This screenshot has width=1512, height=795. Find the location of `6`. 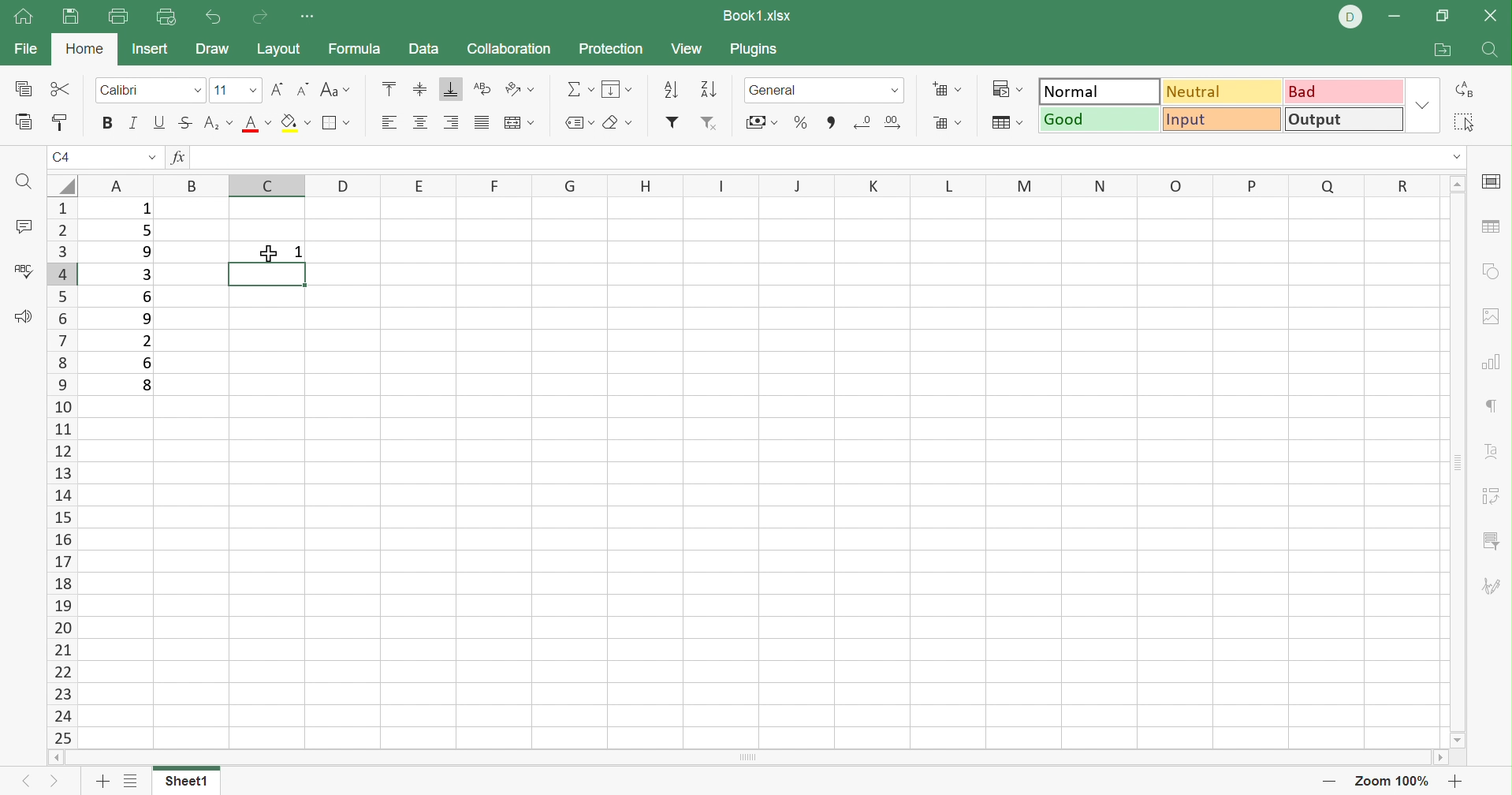

6 is located at coordinates (148, 297).